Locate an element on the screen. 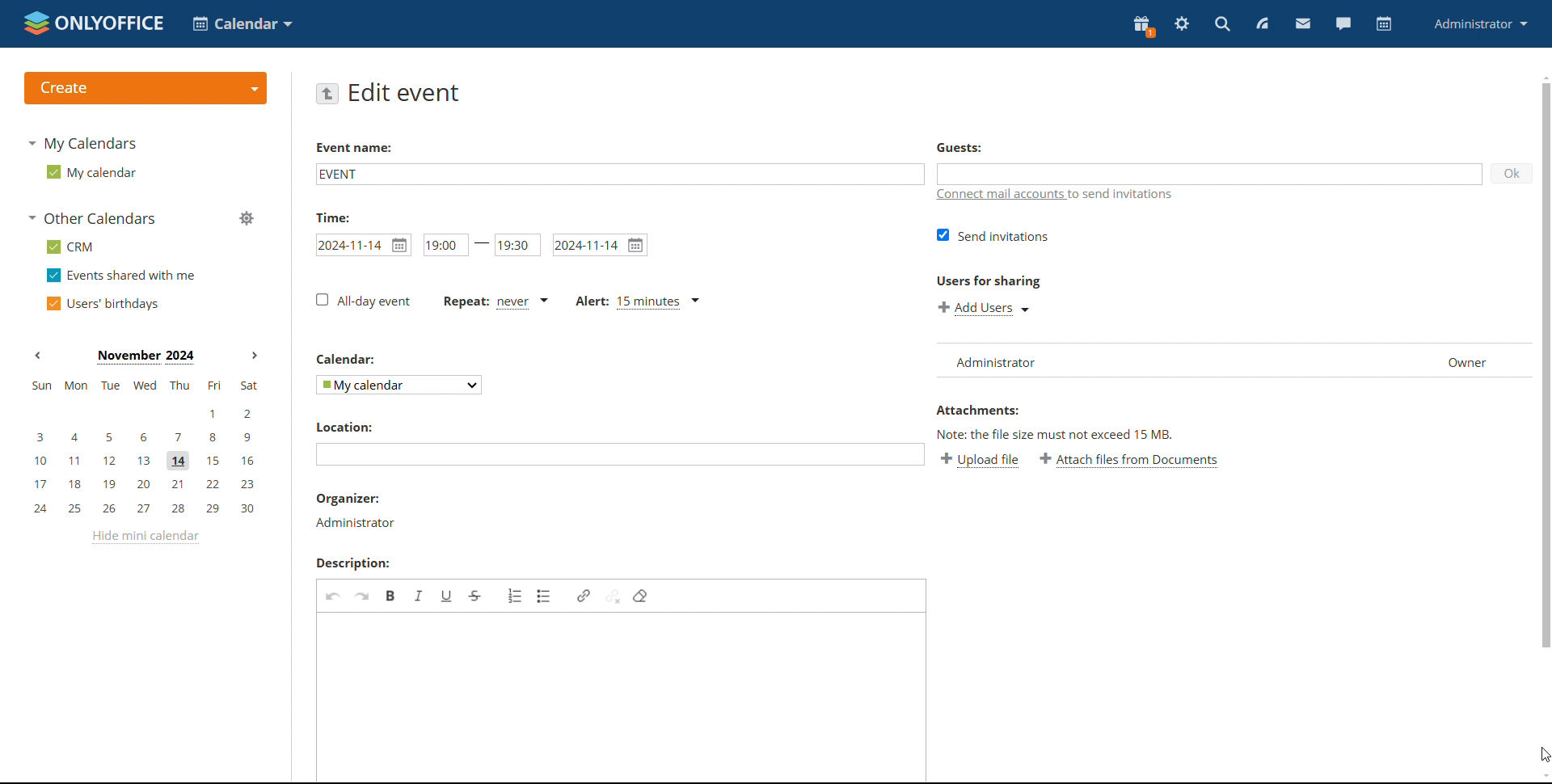  send invitations is located at coordinates (993, 234).